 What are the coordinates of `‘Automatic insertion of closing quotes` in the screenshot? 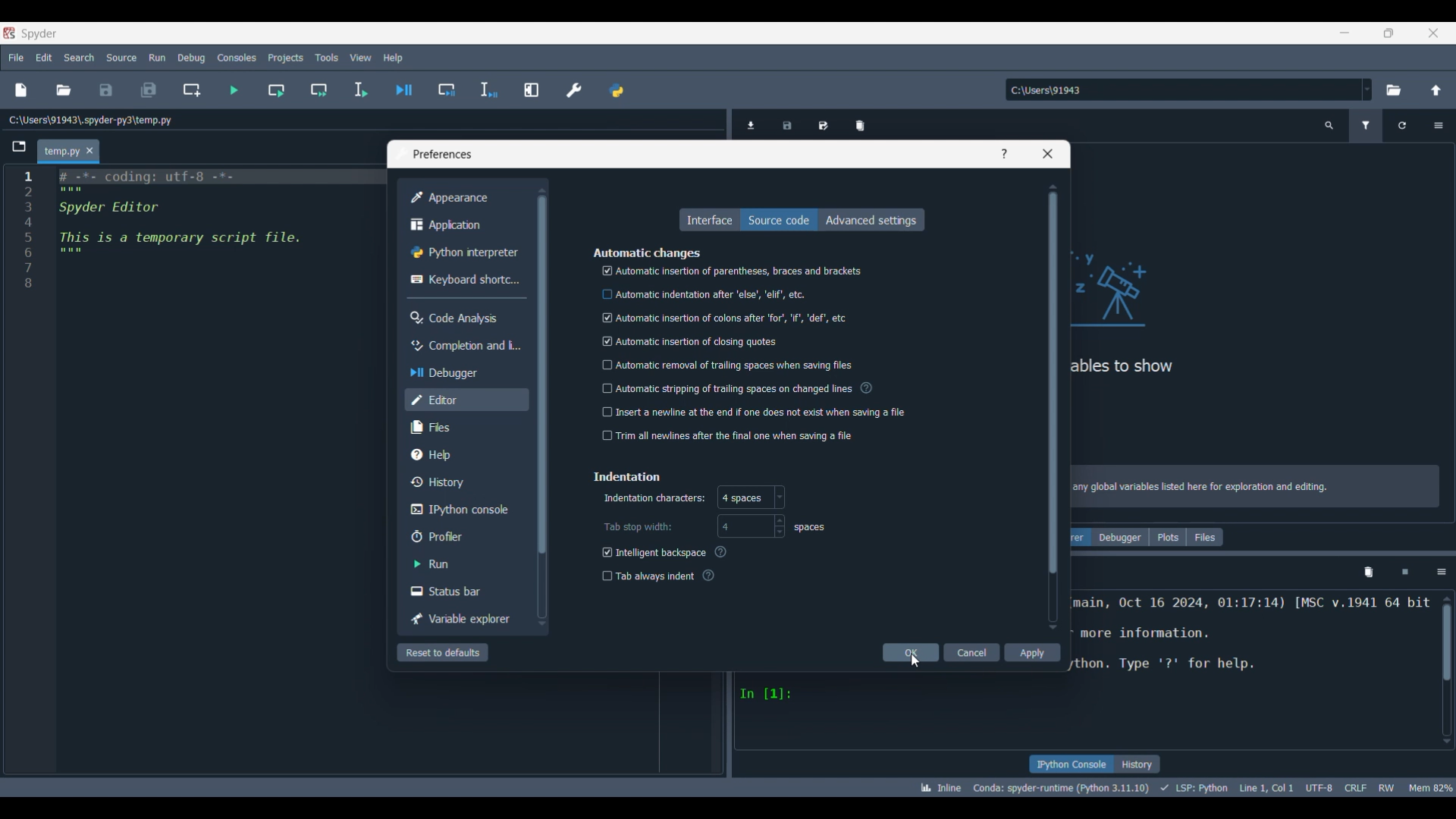 It's located at (690, 340).